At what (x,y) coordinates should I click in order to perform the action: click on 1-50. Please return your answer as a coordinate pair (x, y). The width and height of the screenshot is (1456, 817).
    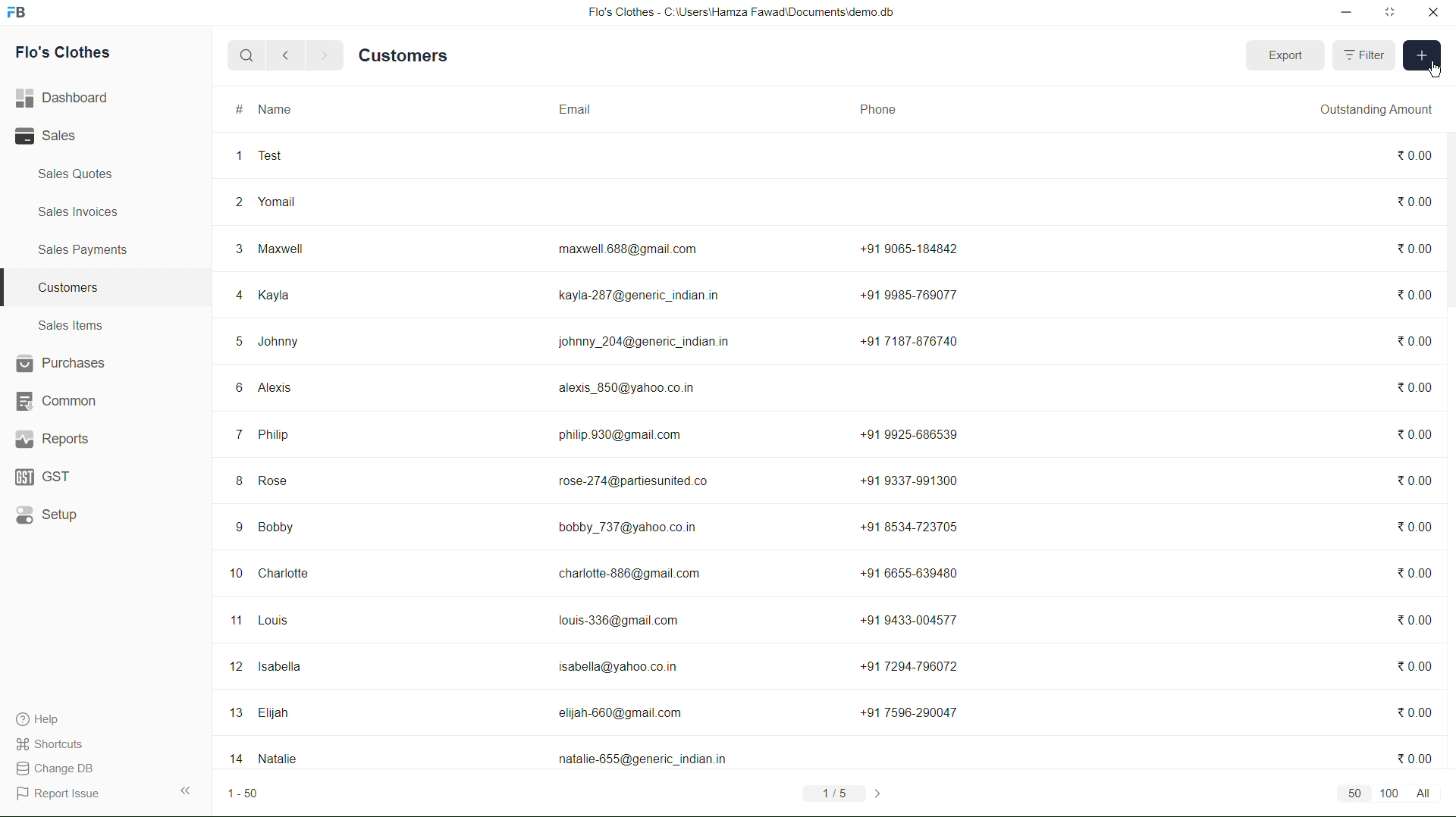
    Looking at the image, I should click on (247, 795).